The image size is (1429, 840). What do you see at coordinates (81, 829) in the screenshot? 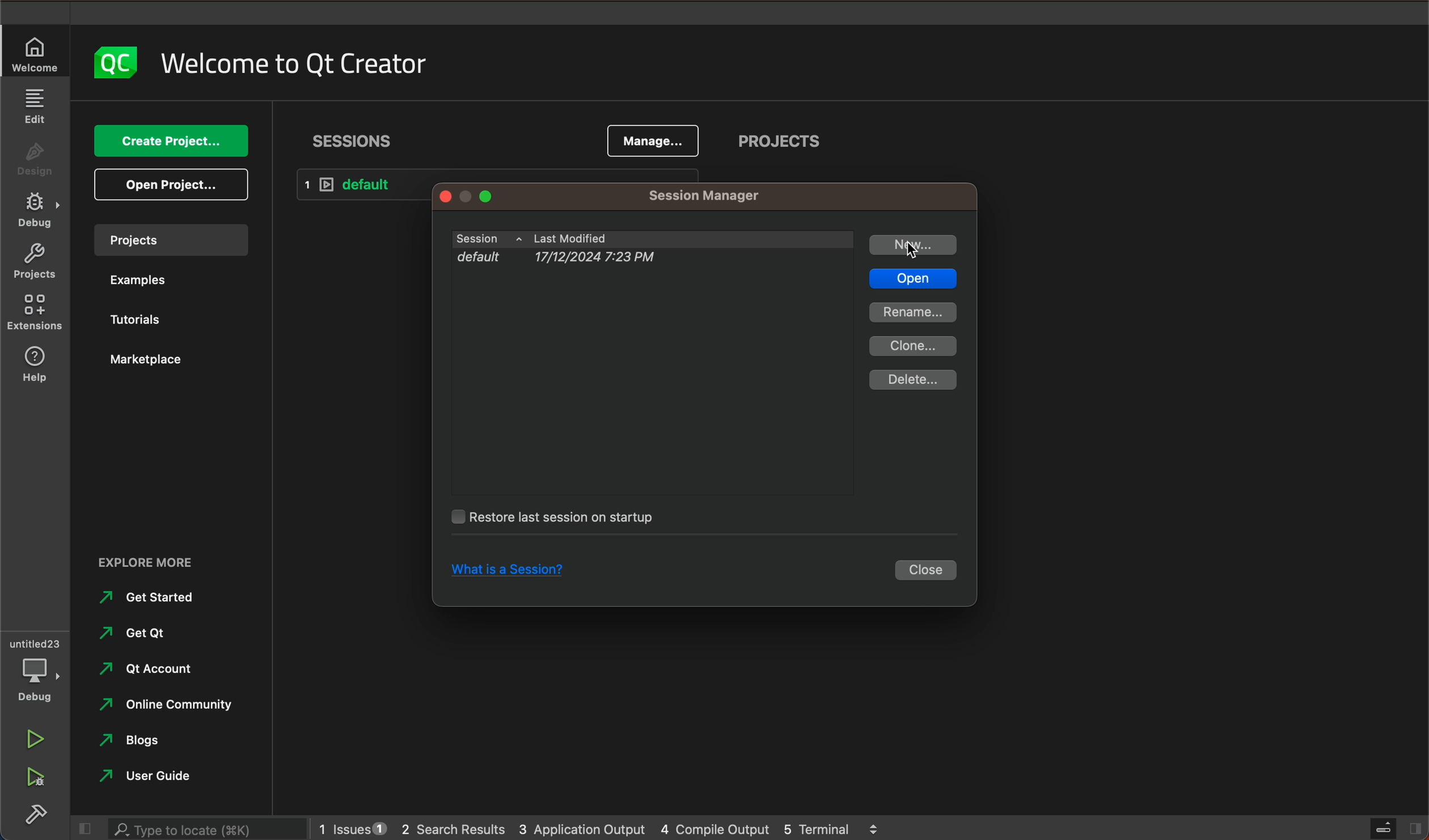
I see `close slide bar` at bounding box center [81, 829].